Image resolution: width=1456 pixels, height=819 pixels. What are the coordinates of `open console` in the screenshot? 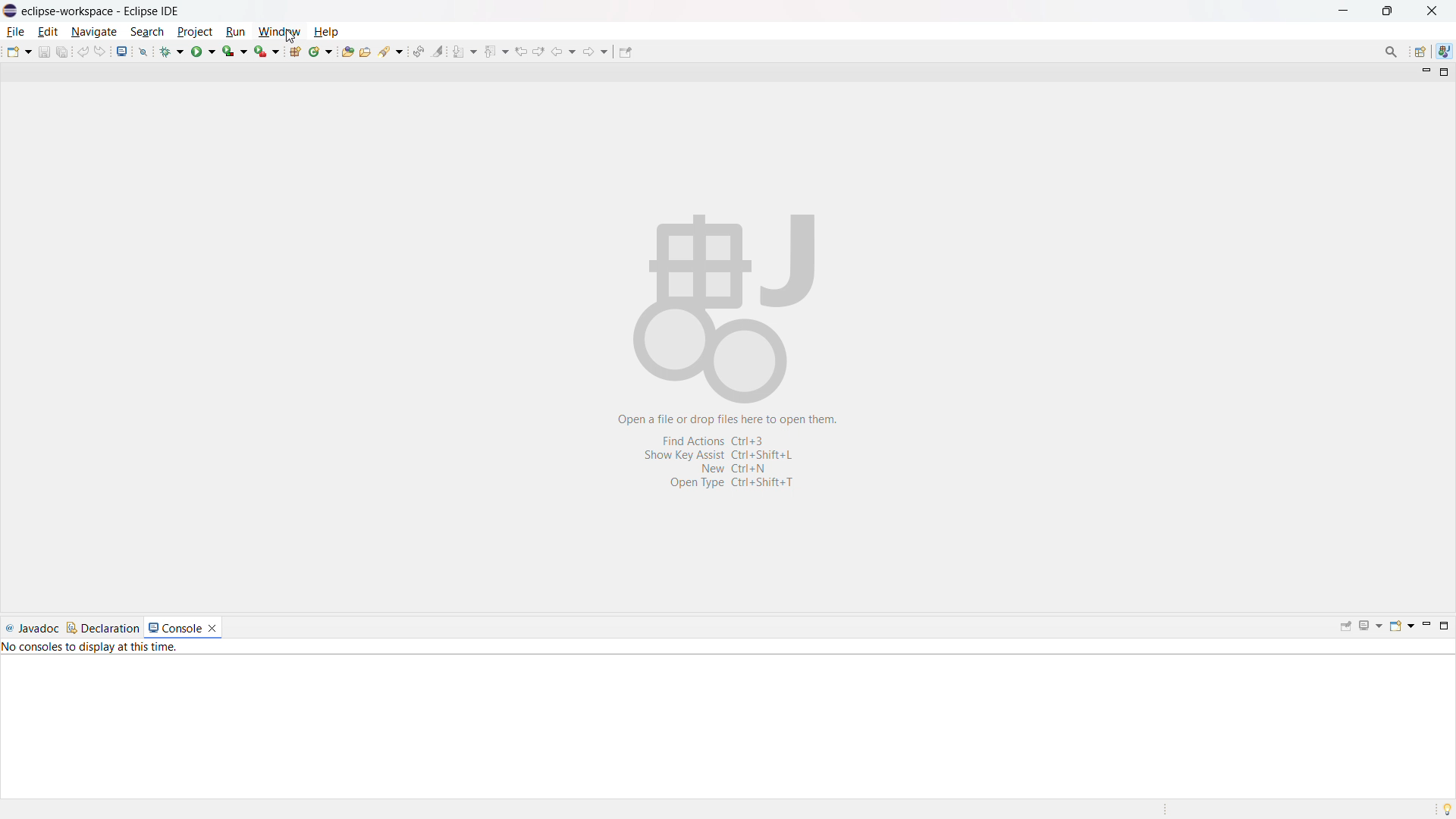 It's located at (123, 51).